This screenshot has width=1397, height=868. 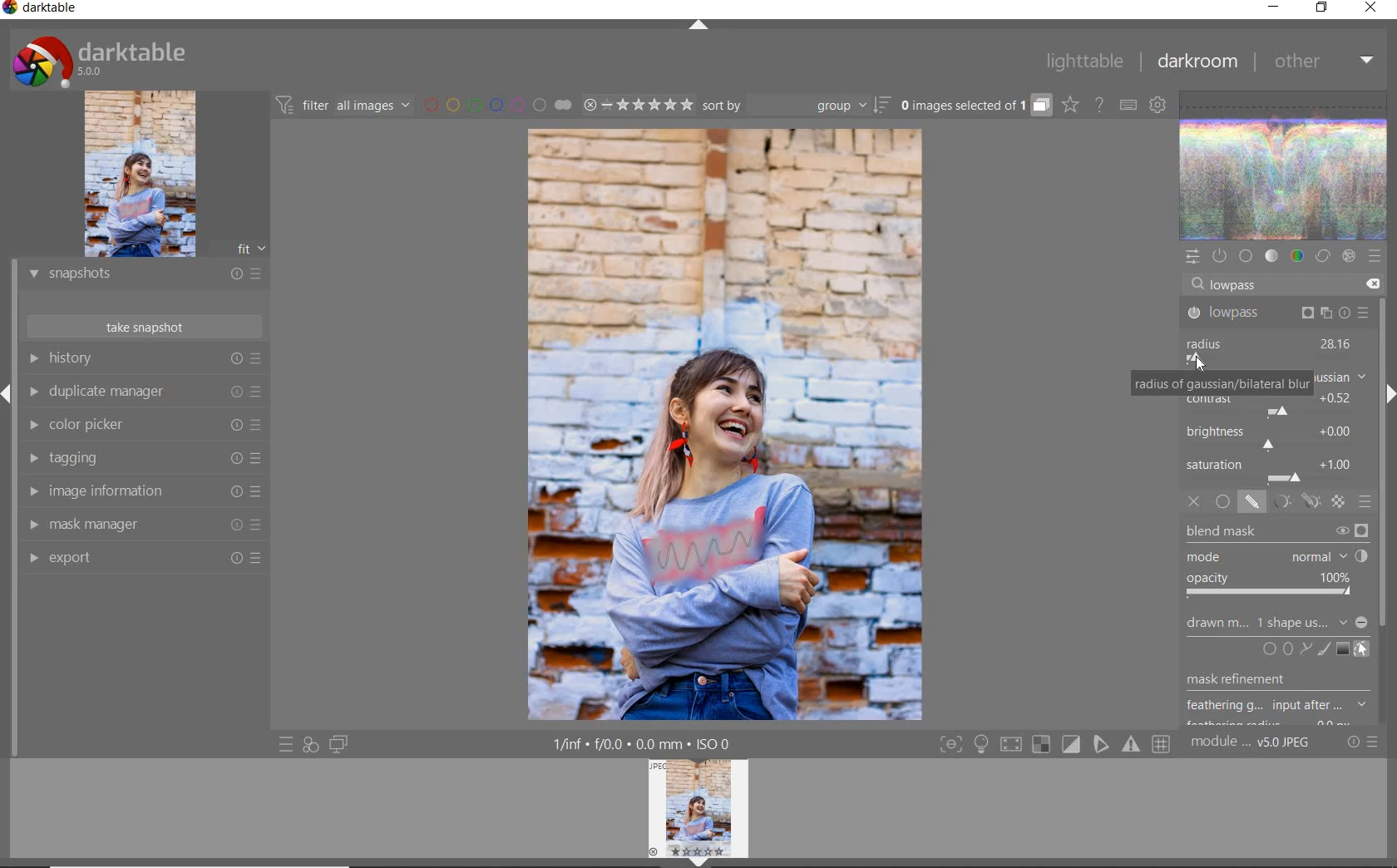 What do you see at coordinates (1069, 104) in the screenshot?
I see `click to change overlays on thumbnails` at bounding box center [1069, 104].